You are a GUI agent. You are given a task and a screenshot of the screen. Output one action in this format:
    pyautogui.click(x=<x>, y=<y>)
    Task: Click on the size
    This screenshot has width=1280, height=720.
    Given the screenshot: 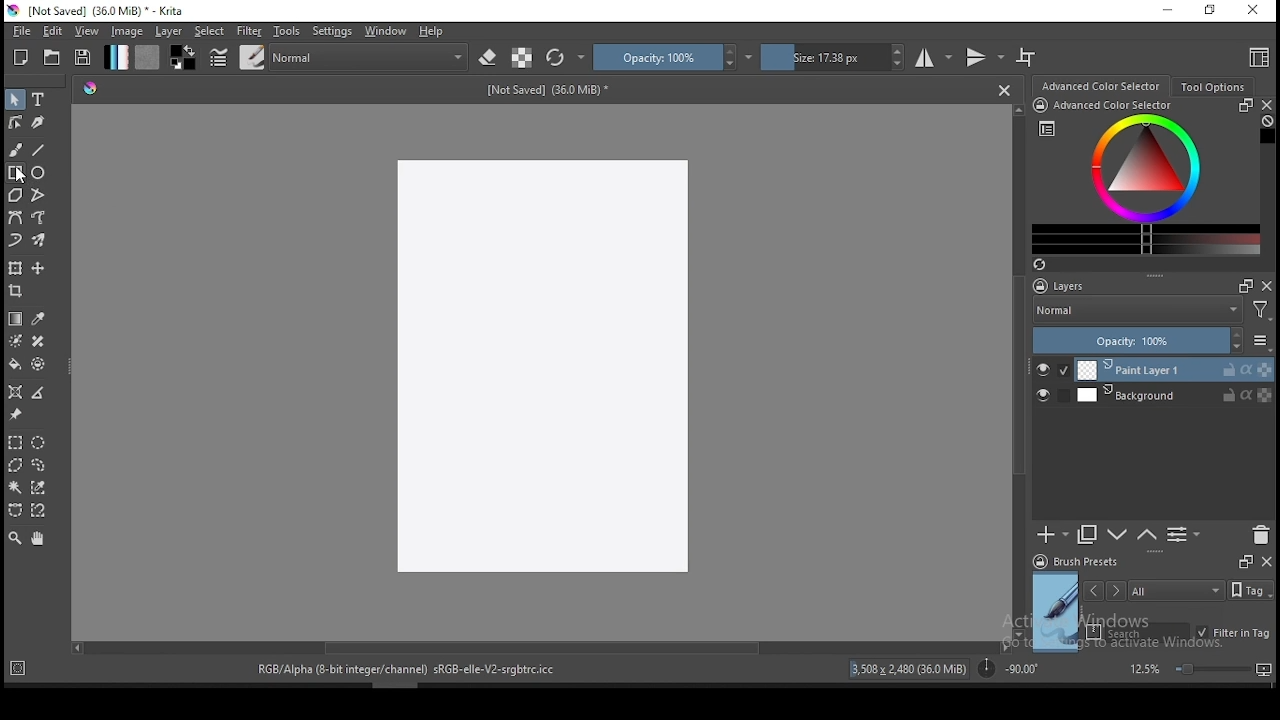 What is the action you would take?
    pyautogui.click(x=543, y=95)
    